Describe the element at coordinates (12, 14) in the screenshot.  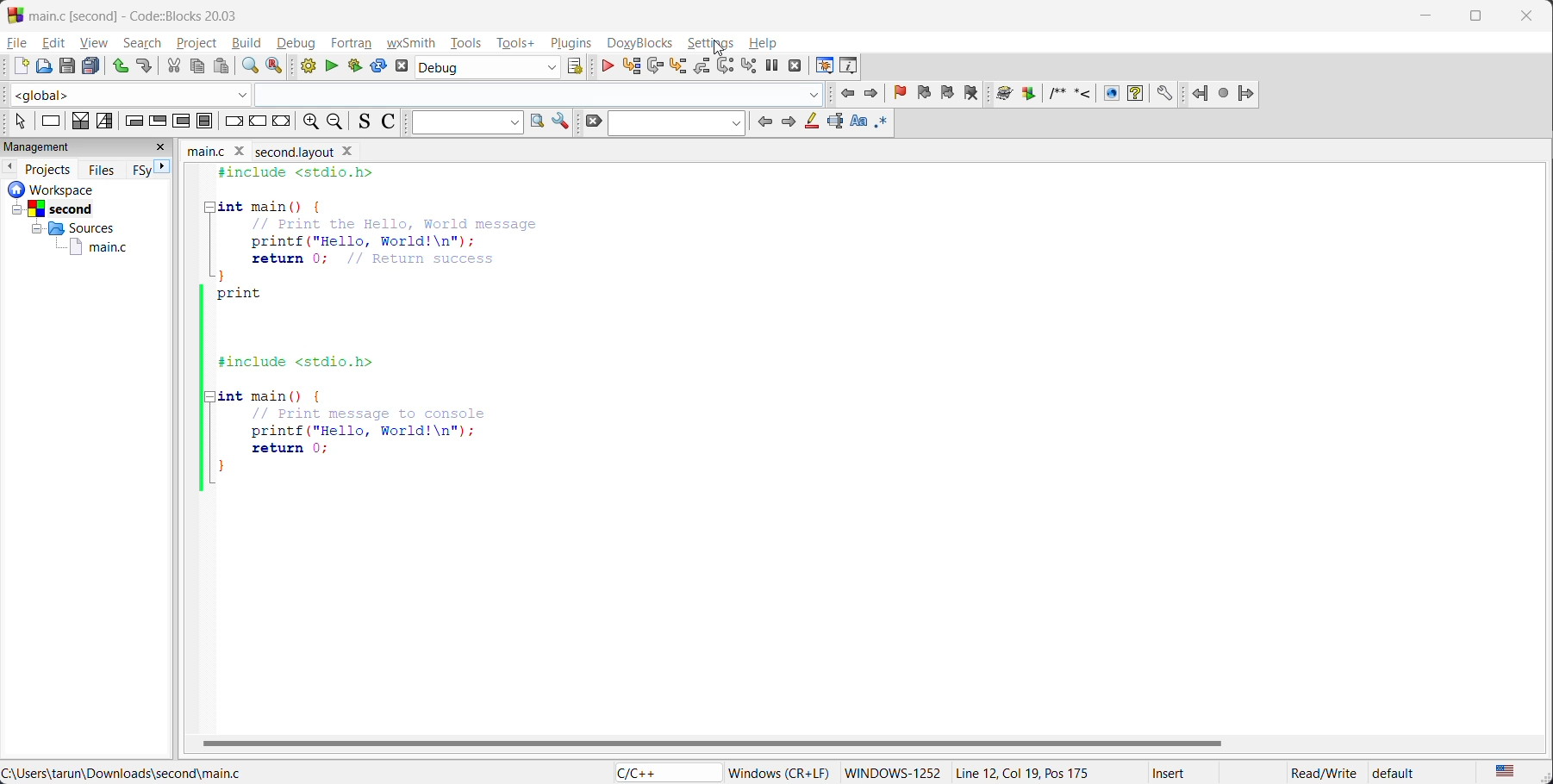
I see `Codeblock logo` at that location.